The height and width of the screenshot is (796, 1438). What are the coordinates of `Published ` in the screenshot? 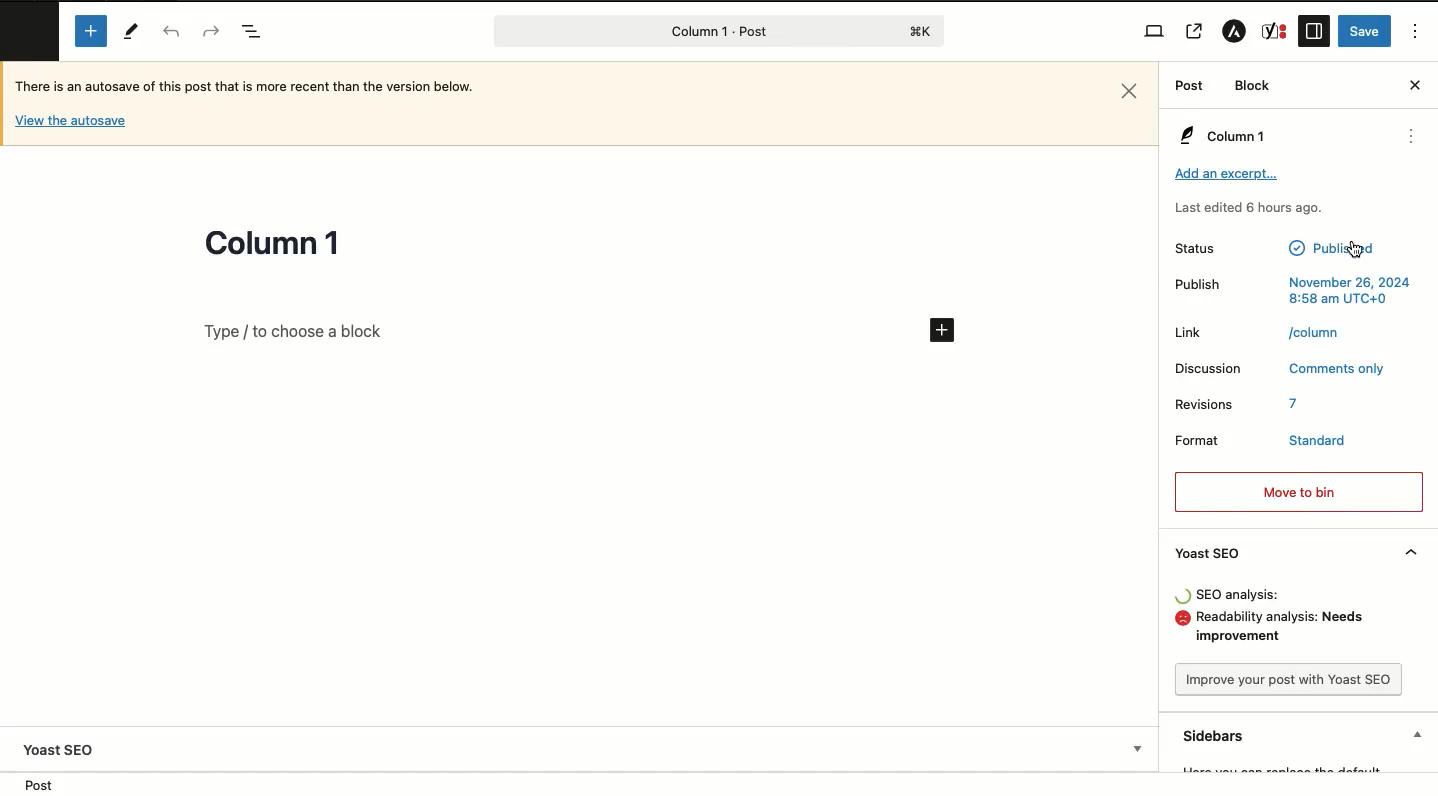 It's located at (1332, 247).